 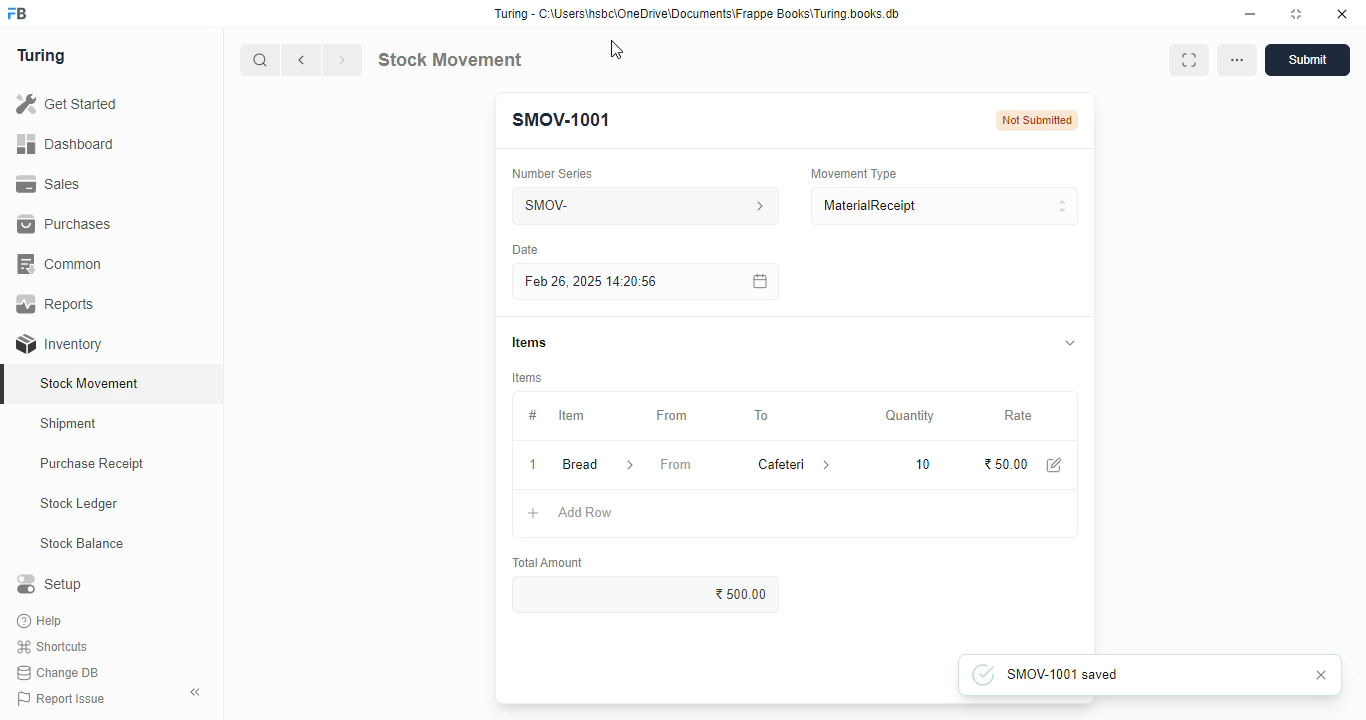 I want to click on report issue, so click(x=61, y=698).